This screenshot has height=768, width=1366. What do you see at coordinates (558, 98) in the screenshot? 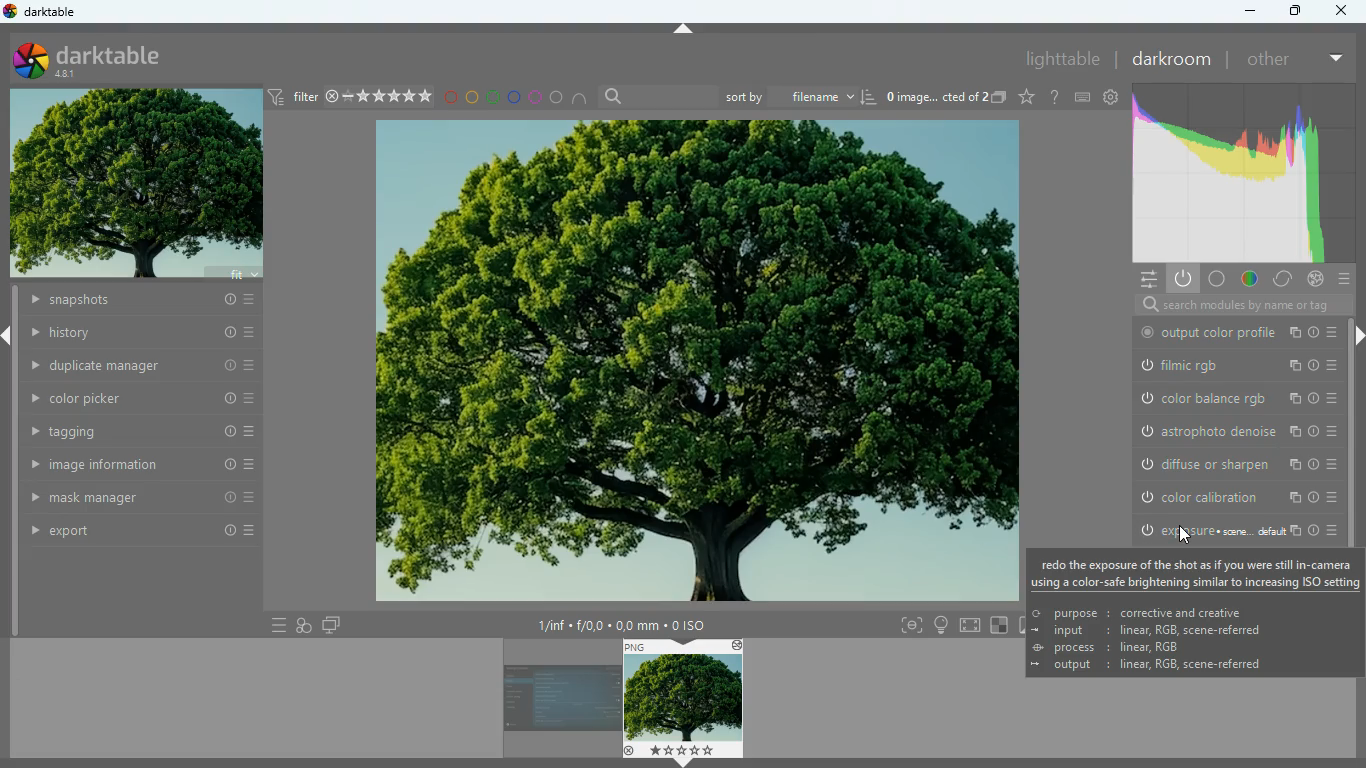
I see `circle` at bounding box center [558, 98].